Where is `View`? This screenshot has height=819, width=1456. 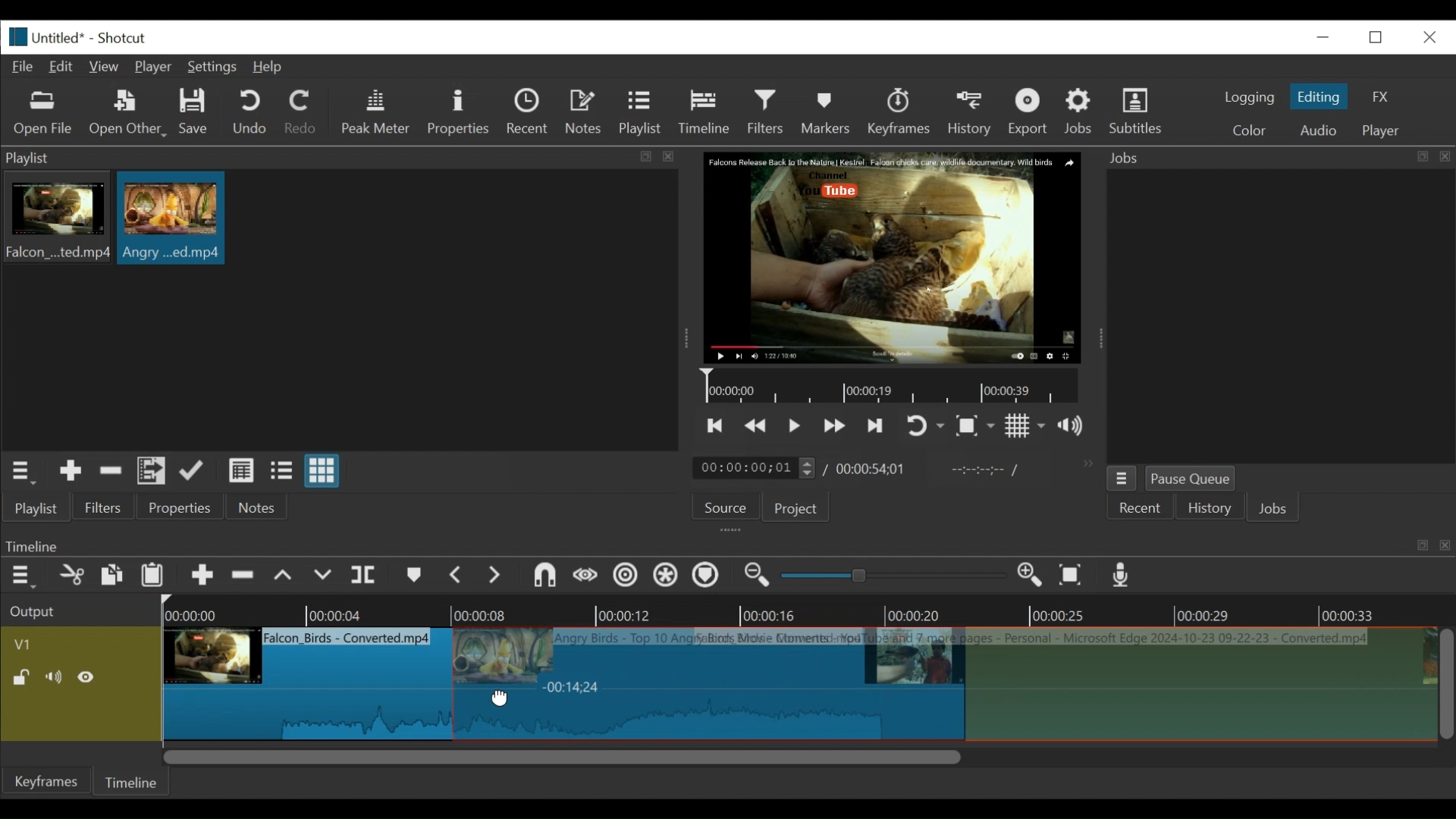
View is located at coordinates (105, 67).